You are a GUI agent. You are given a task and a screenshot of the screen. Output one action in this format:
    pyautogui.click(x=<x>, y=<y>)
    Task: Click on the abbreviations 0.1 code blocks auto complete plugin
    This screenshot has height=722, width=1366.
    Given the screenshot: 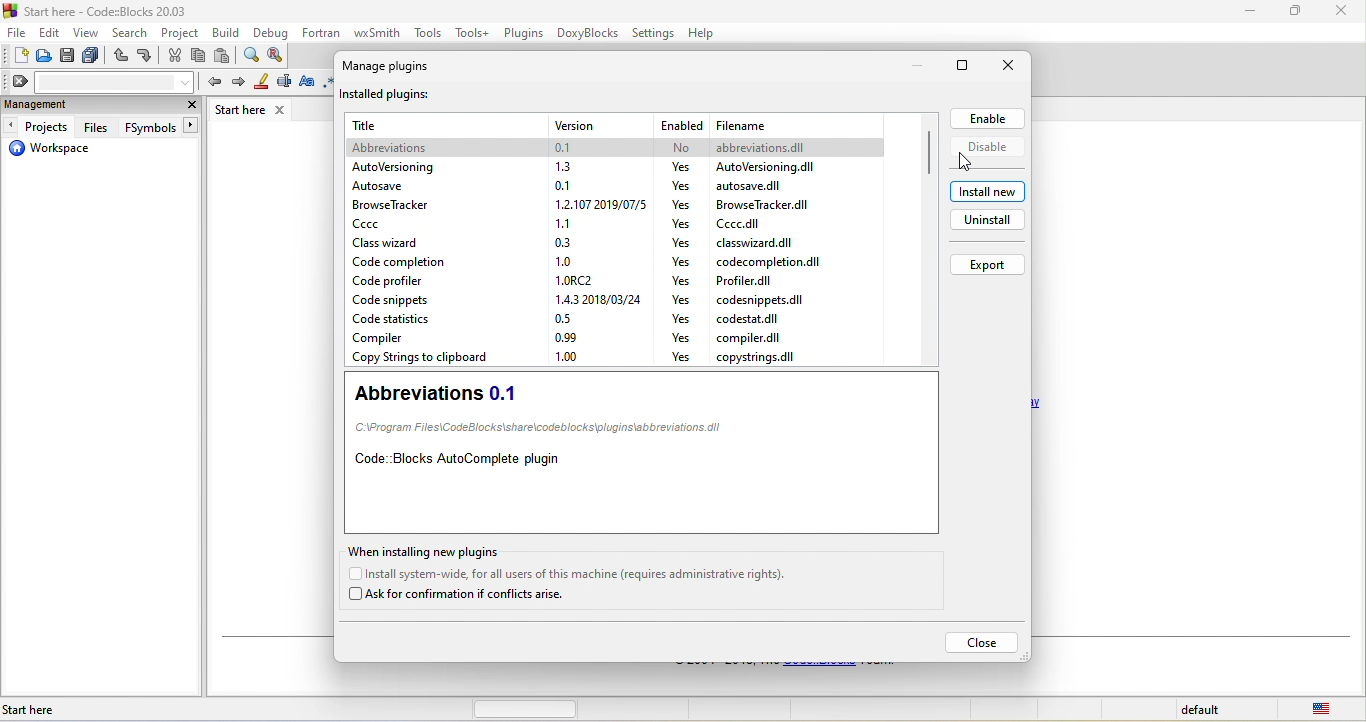 What is the action you would take?
    pyautogui.click(x=641, y=454)
    